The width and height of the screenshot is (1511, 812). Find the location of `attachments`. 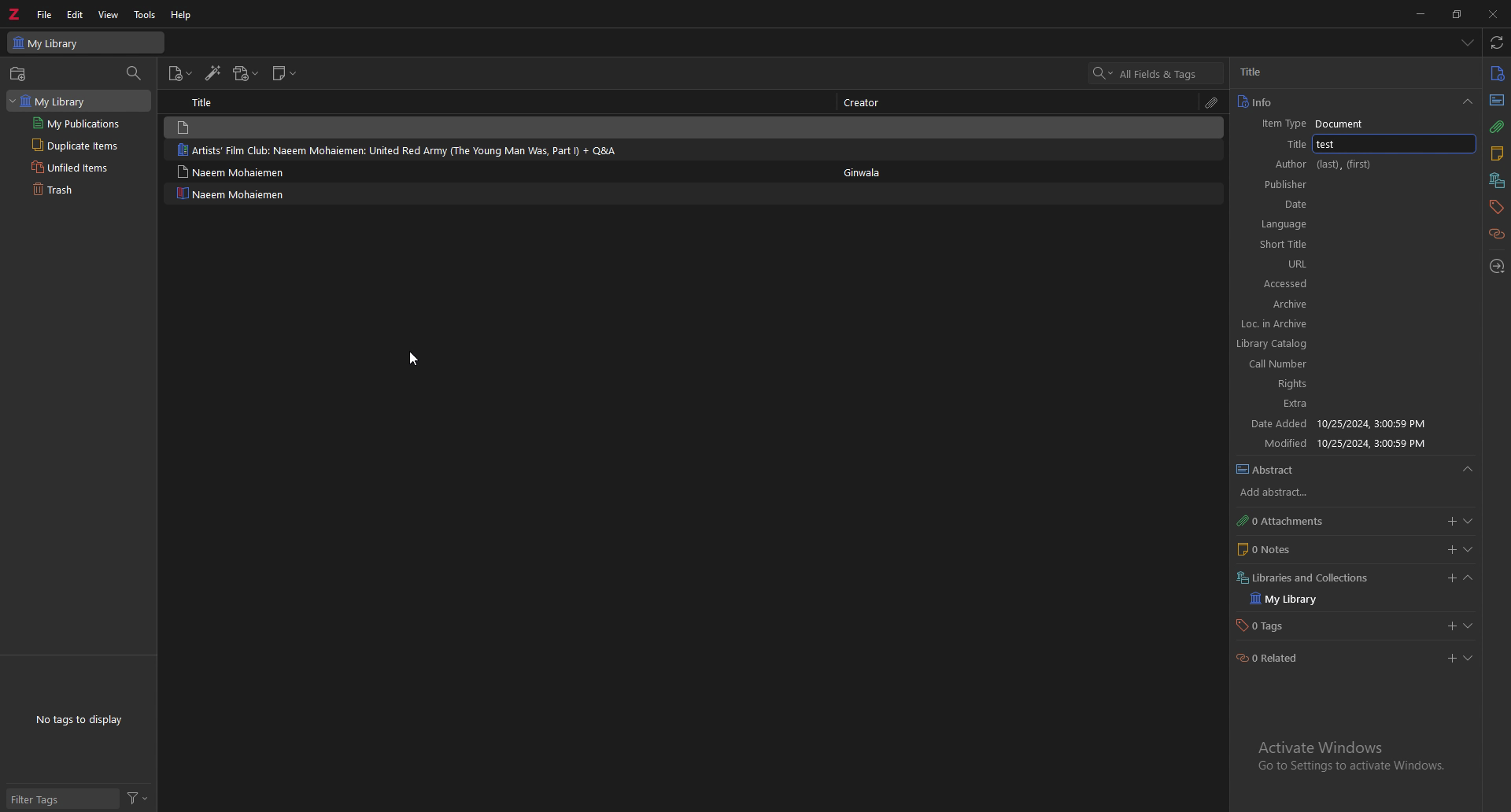

attachments is located at coordinates (1214, 102).